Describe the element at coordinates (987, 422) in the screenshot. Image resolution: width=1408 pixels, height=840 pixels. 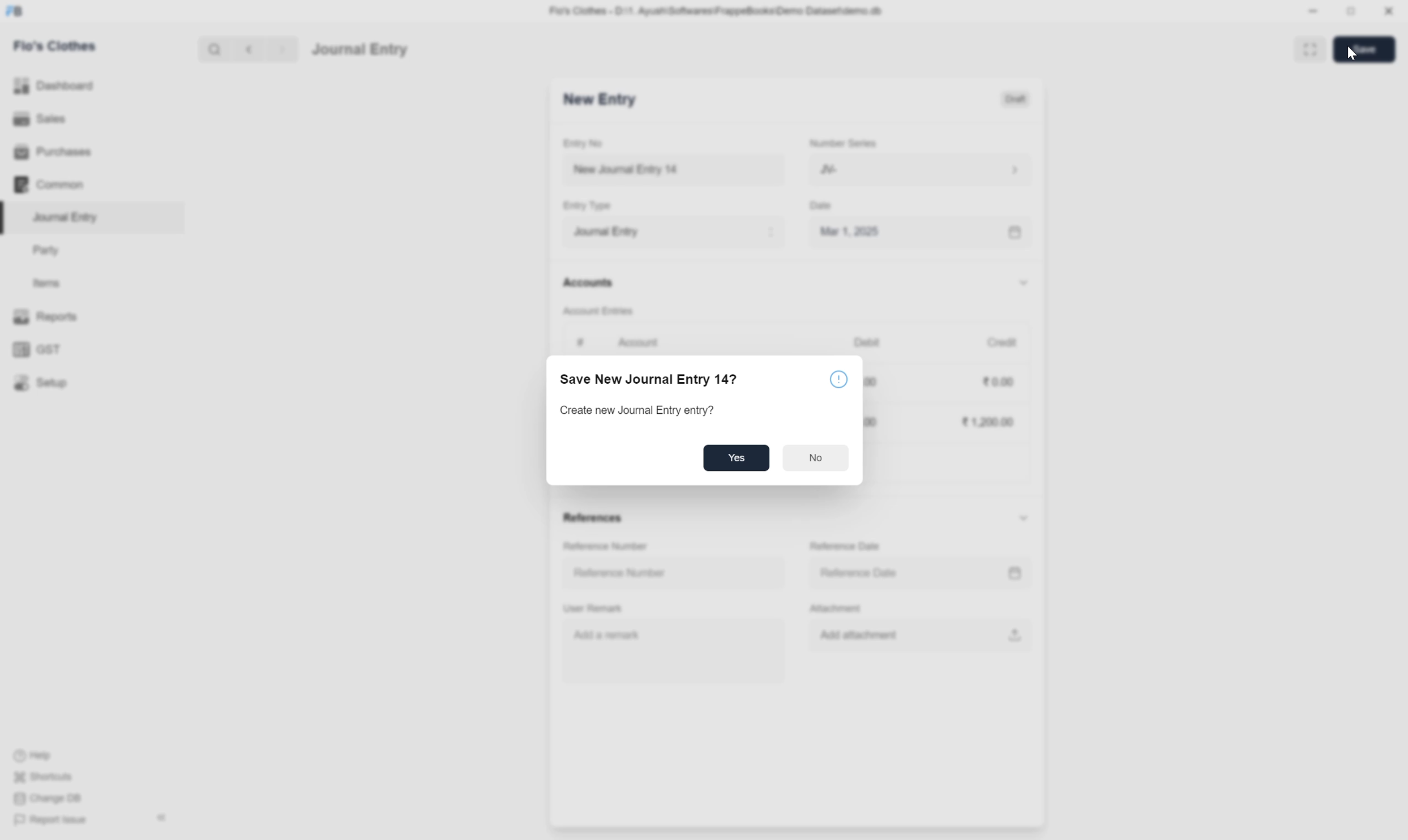
I see `1,200.00` at that location.